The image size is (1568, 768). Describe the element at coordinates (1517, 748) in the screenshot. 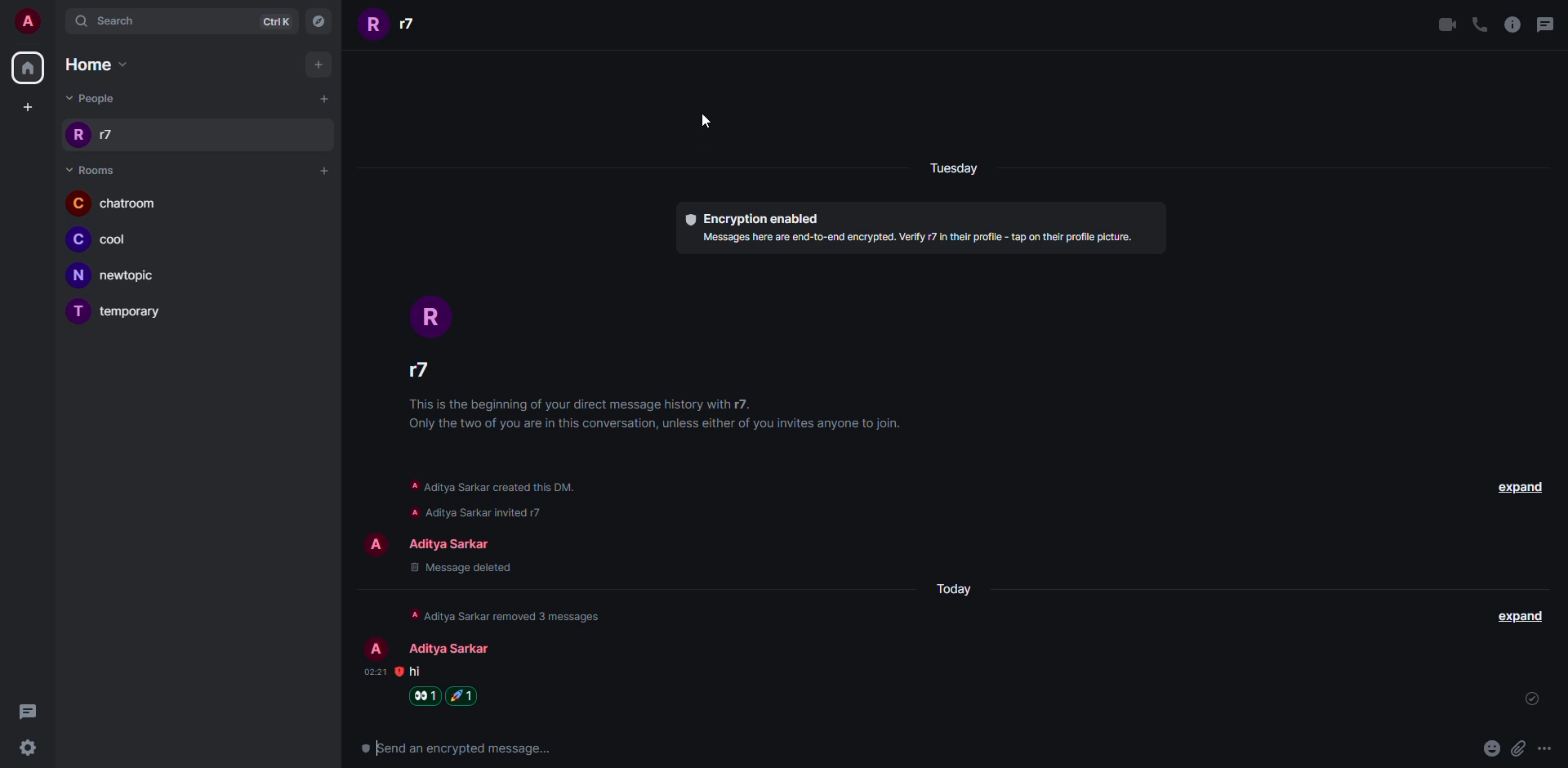

I see `attach` at that location.